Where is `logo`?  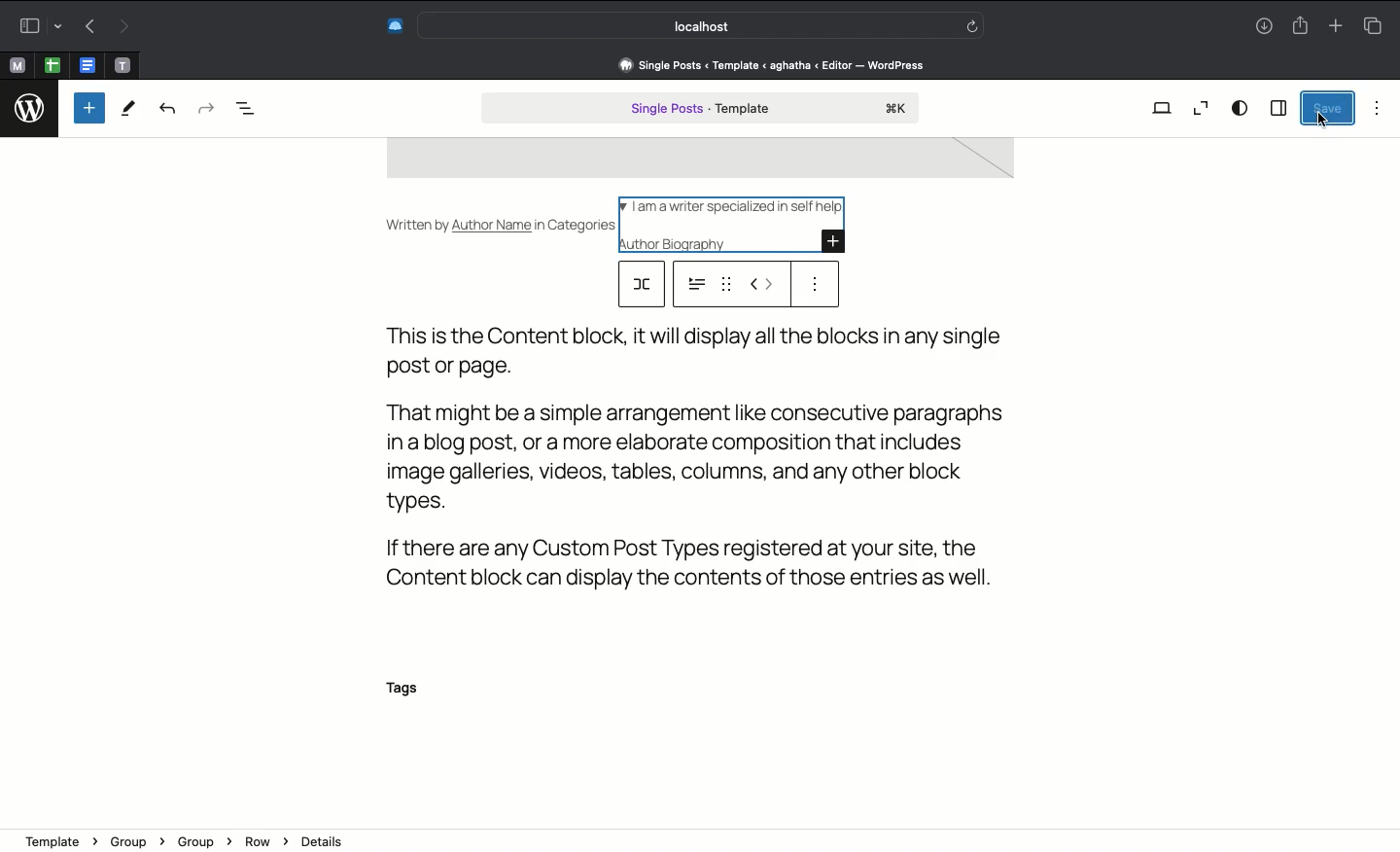 logo is located at coordinates (31, 104).